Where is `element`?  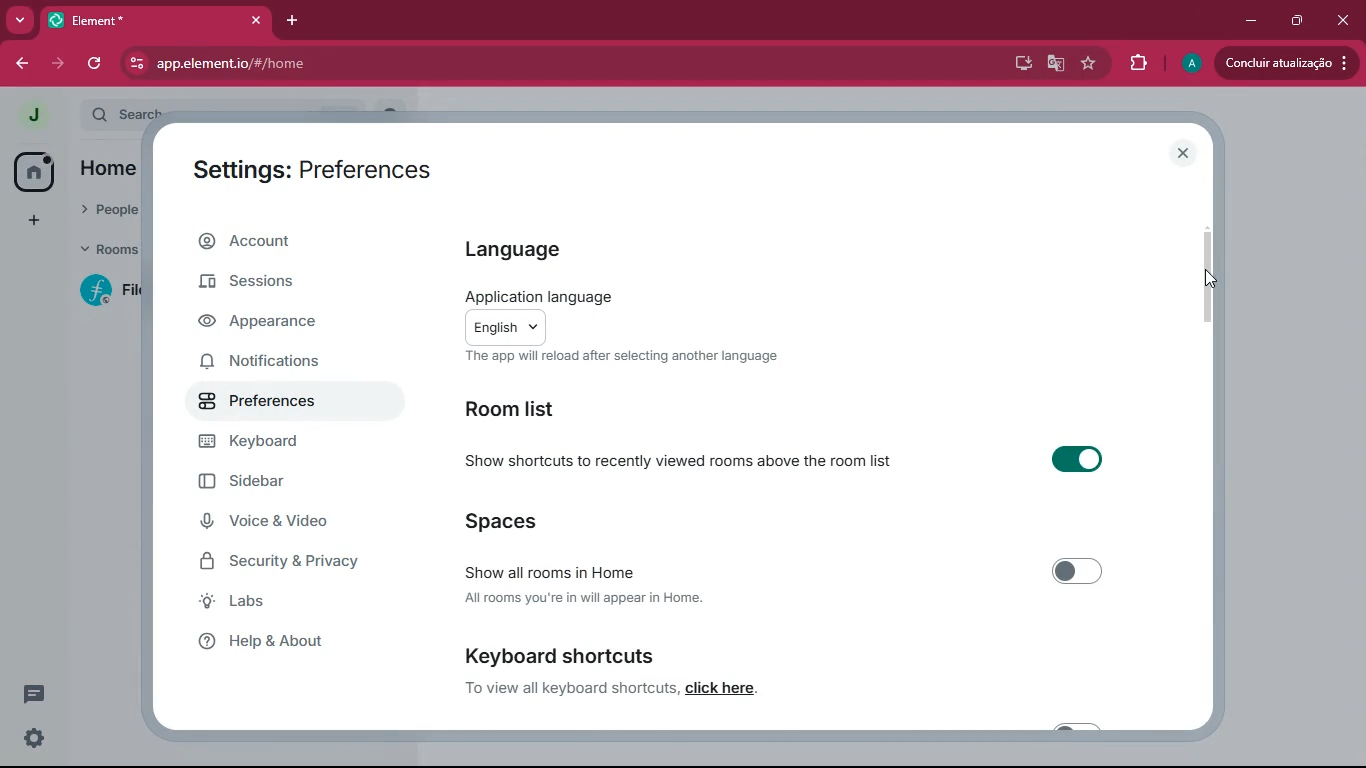
element is located at coordinates (155, 20).